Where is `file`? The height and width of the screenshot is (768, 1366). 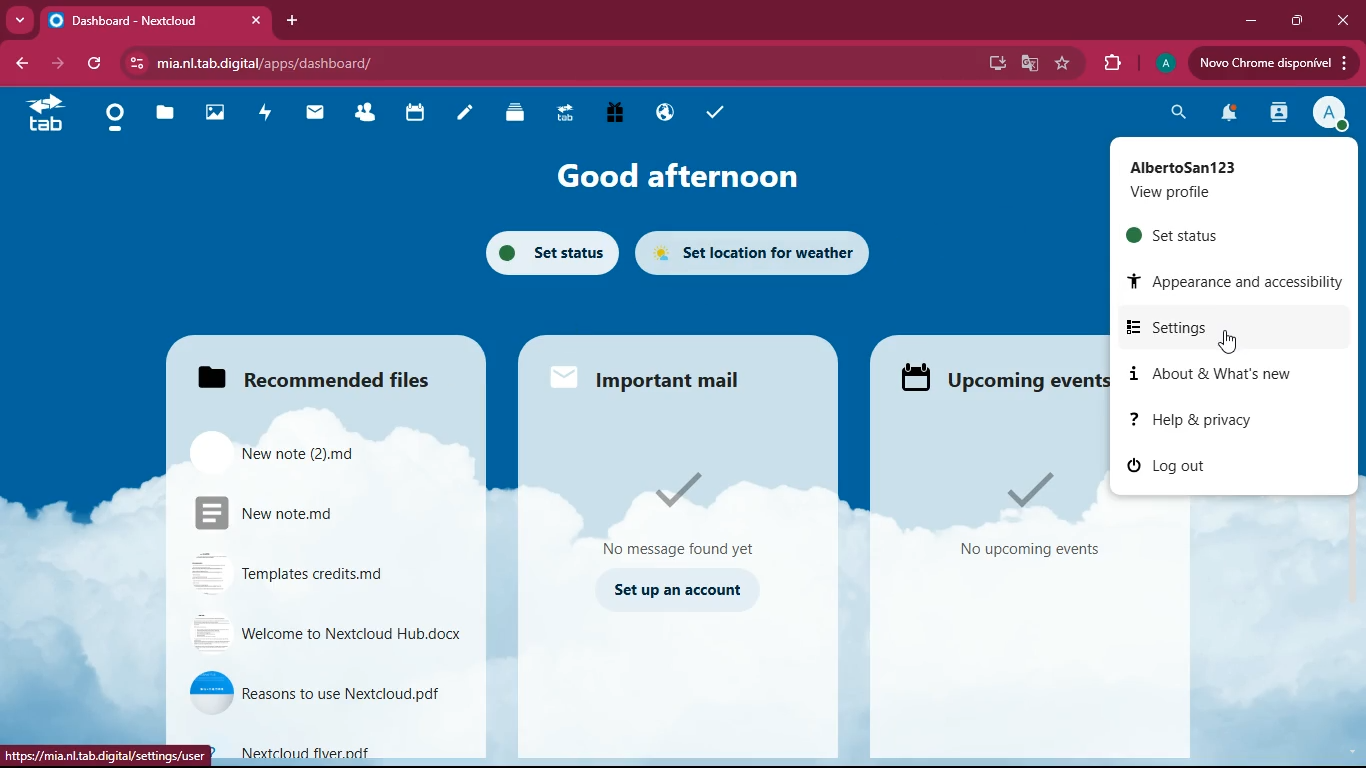
file is located at coordinates (324, 574).